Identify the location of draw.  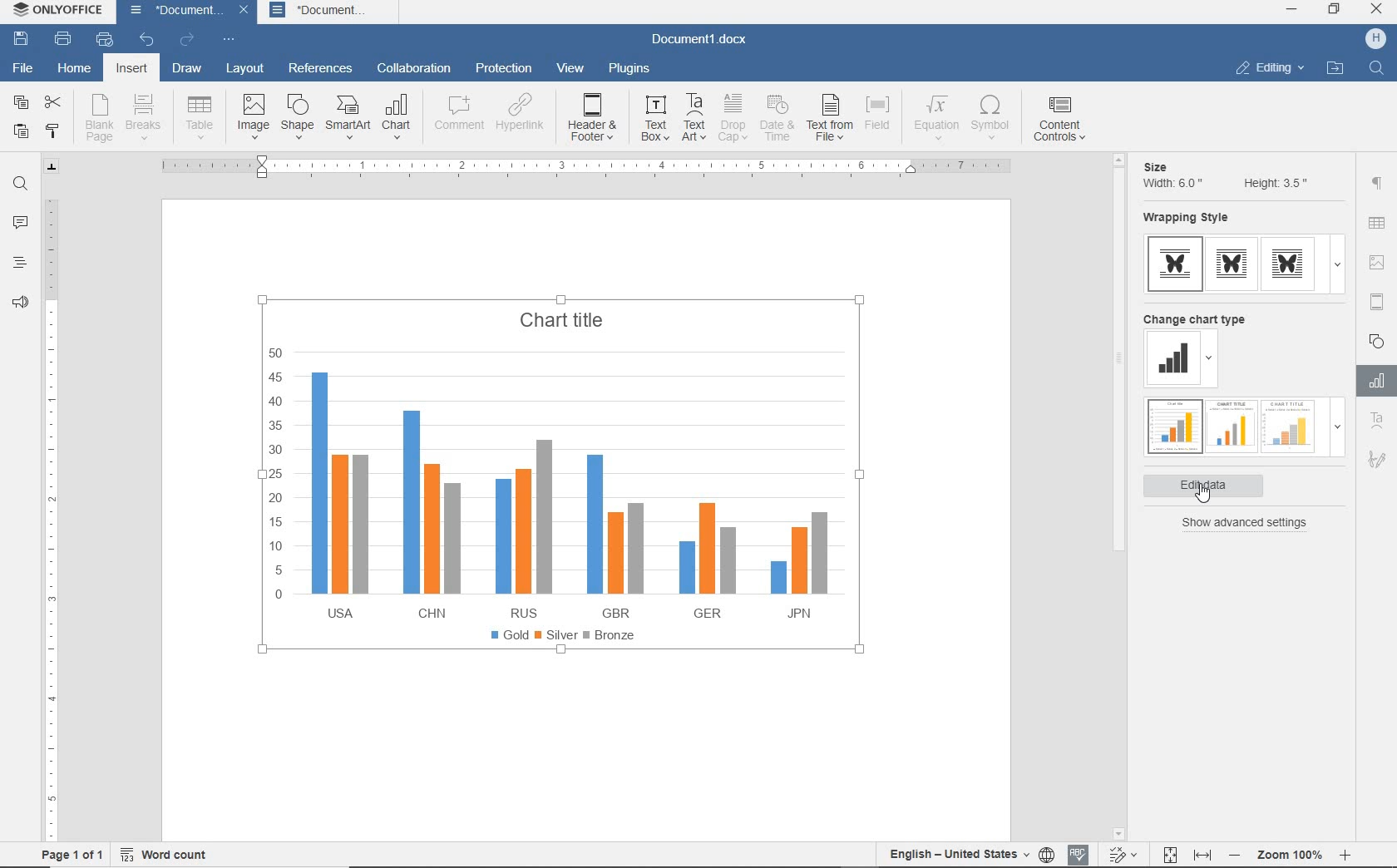
(188, 71).